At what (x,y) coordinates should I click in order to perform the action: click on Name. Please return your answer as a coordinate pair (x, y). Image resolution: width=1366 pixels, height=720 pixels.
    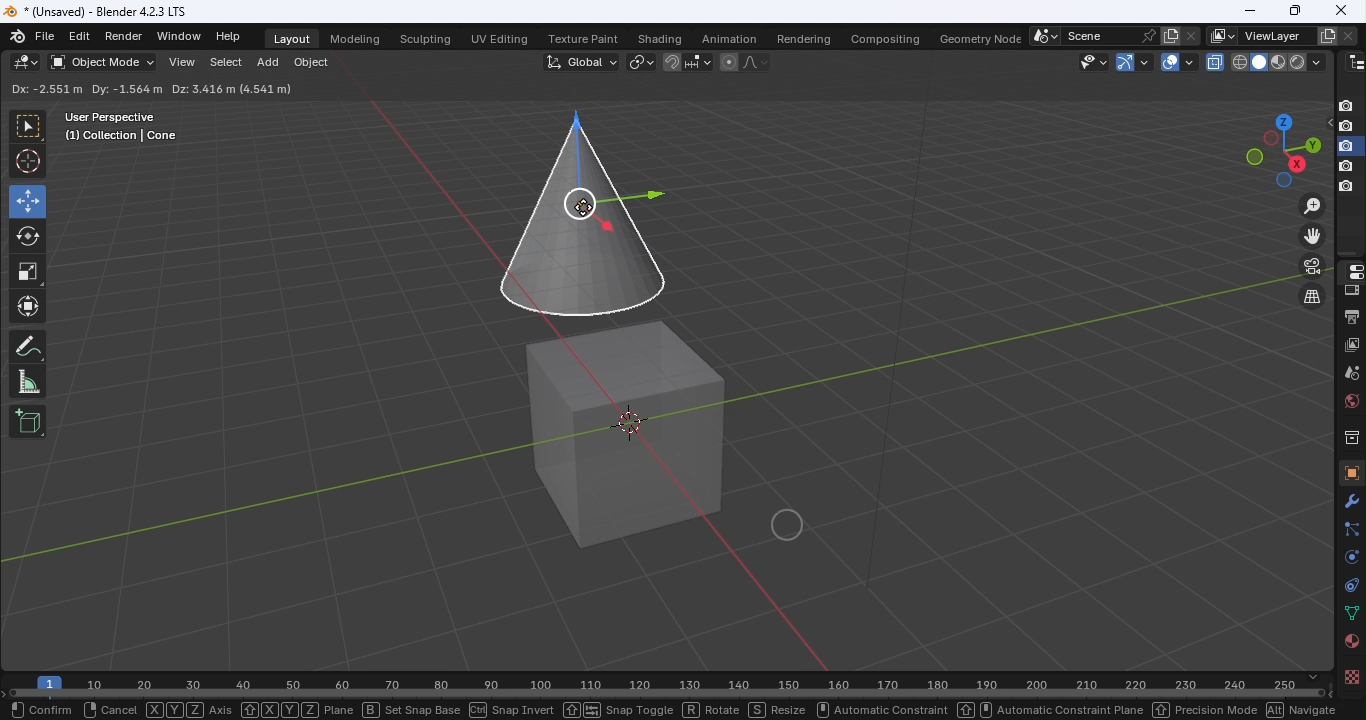
    Looking at the image, I should click on (1275, 36).